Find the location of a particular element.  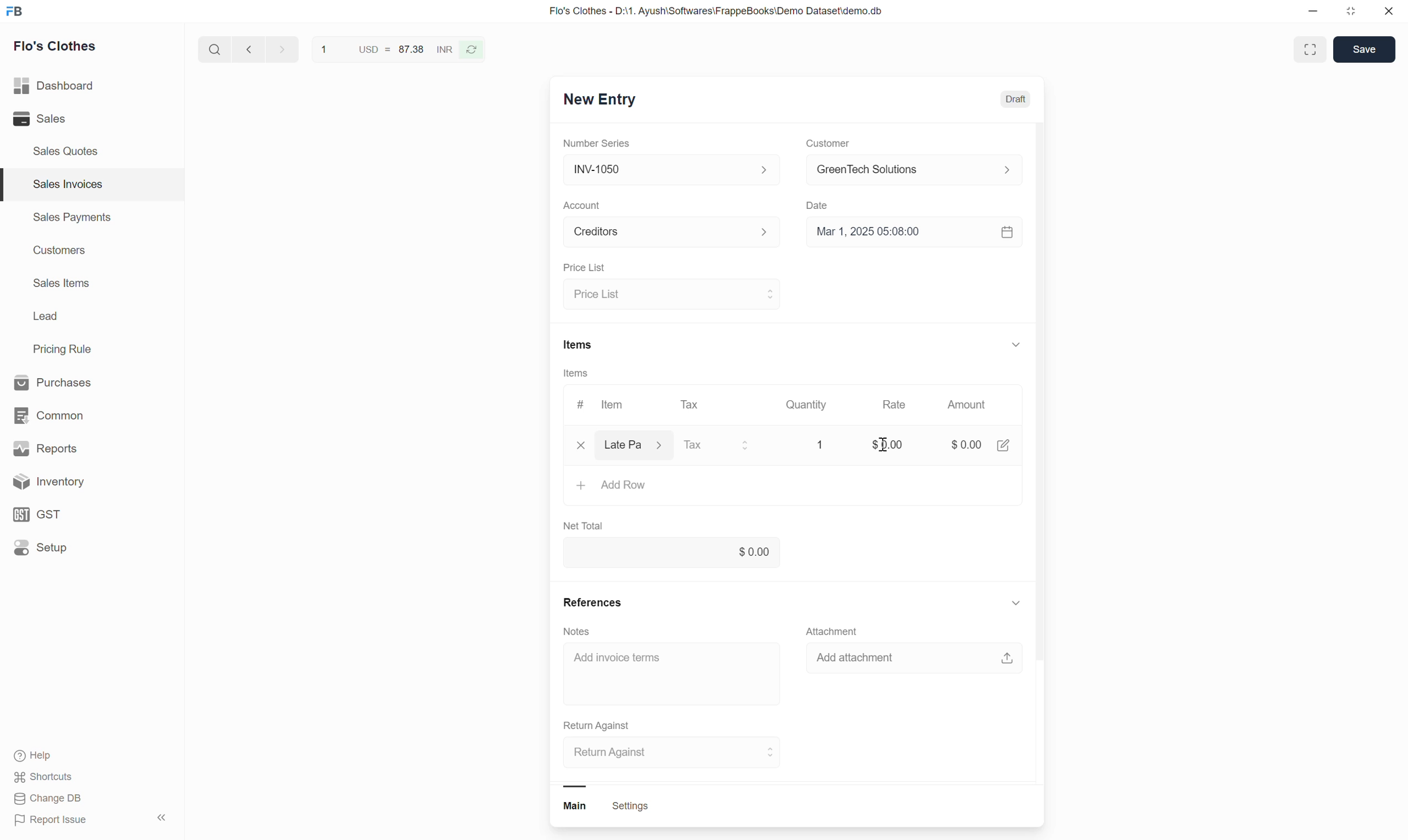

Net Total is located at coordinates (588, 524).